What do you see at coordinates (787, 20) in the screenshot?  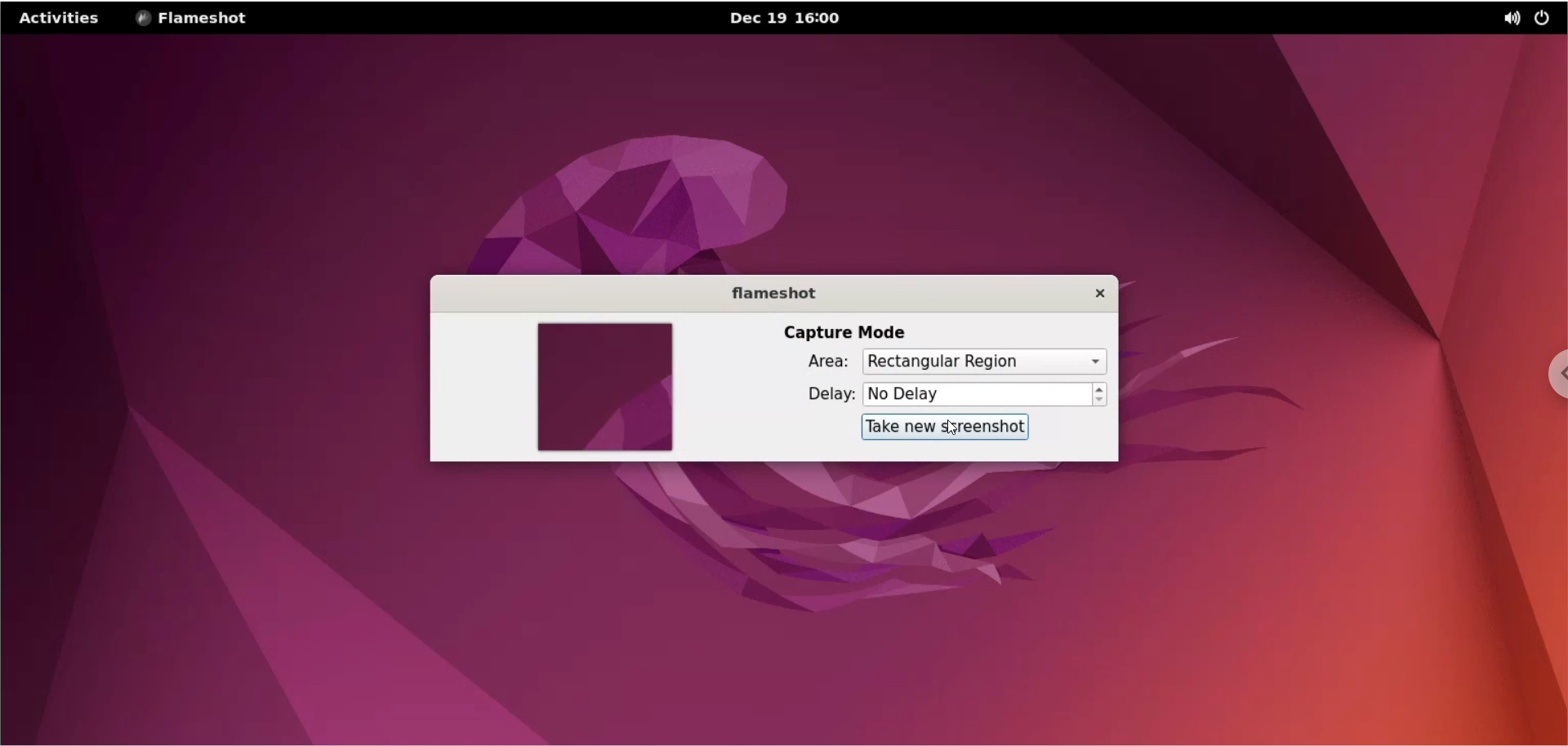 I see `Dec 19 16:00` at bounding box center [787, 20].